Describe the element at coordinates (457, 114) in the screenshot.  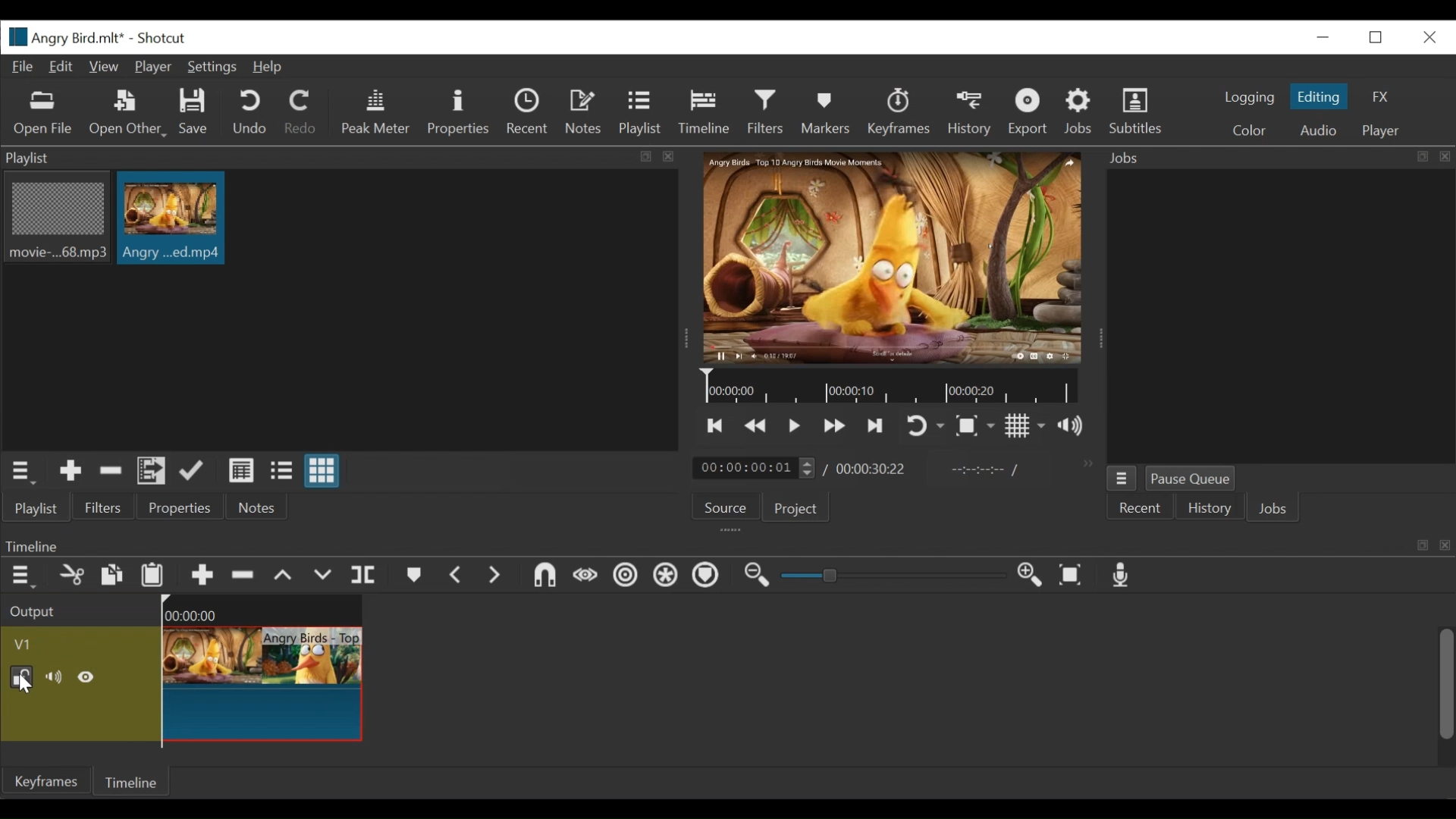
I see `Properties` at that location.